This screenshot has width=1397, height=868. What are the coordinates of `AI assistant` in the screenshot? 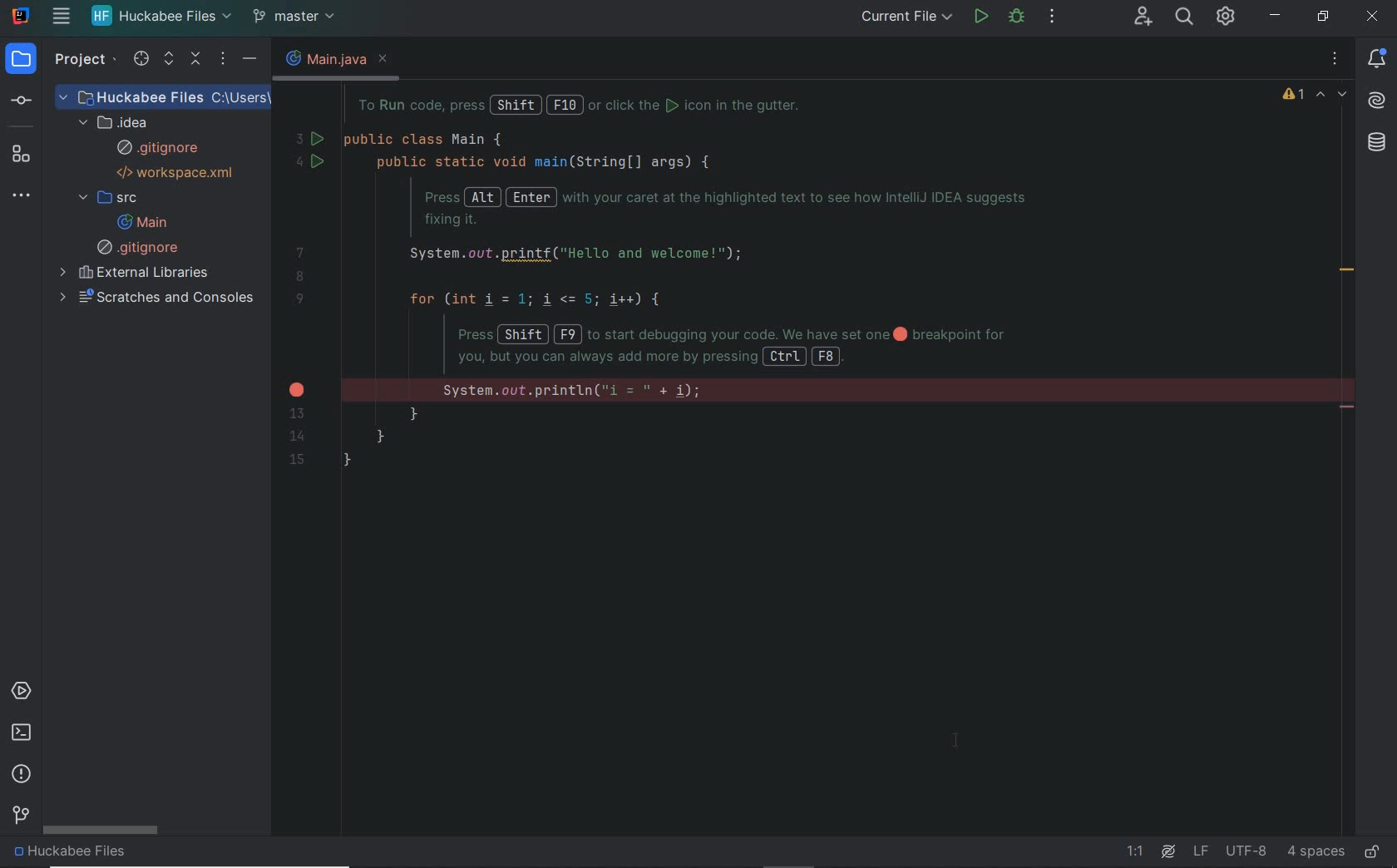 It's located at (1380, 98).